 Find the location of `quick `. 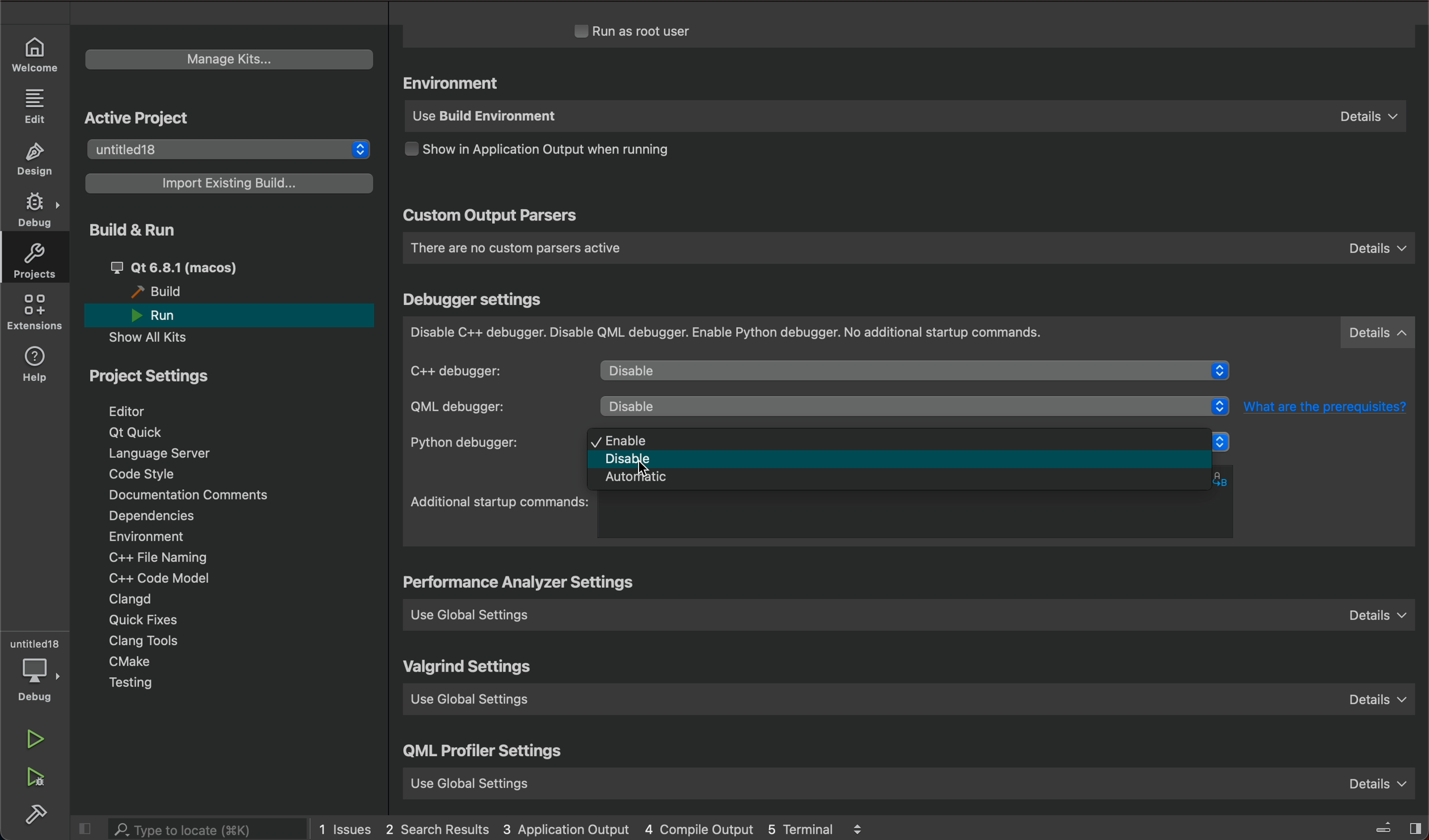

quick  is located at coordinates (147, 621).